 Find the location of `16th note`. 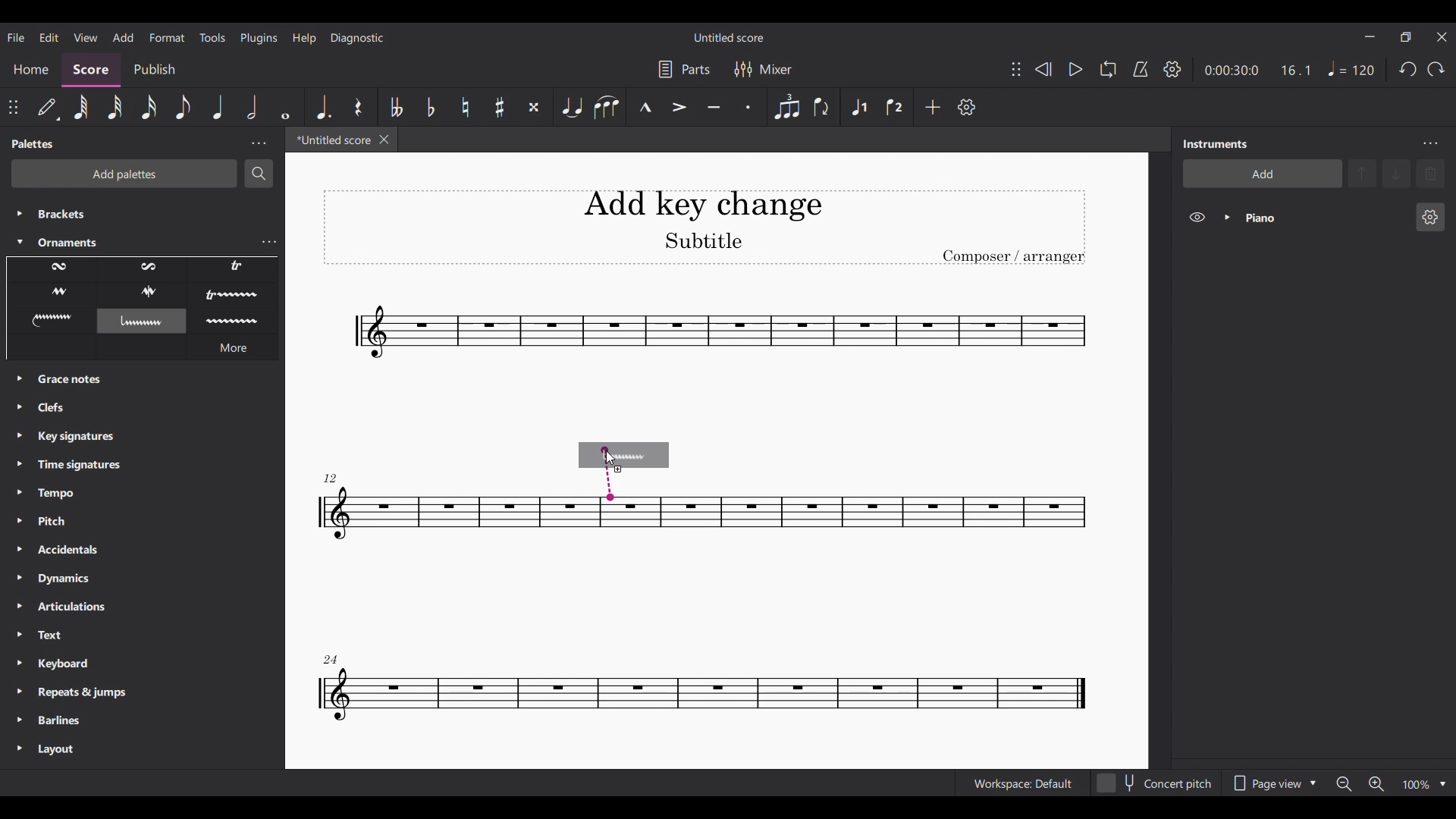

16th note is located at coordinates (149, 106).